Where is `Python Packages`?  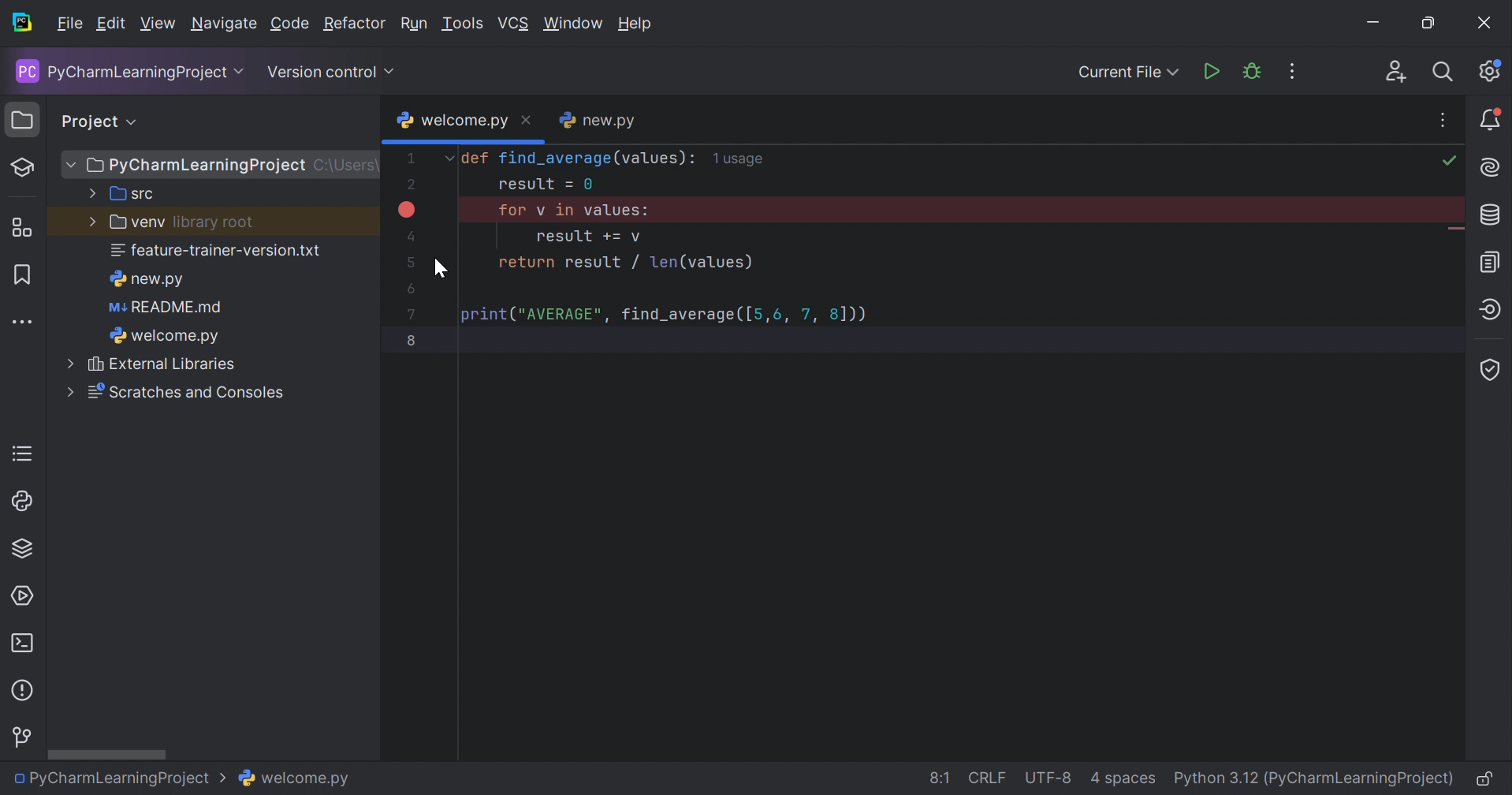 Python Packages is located at coordinates (26, 548).